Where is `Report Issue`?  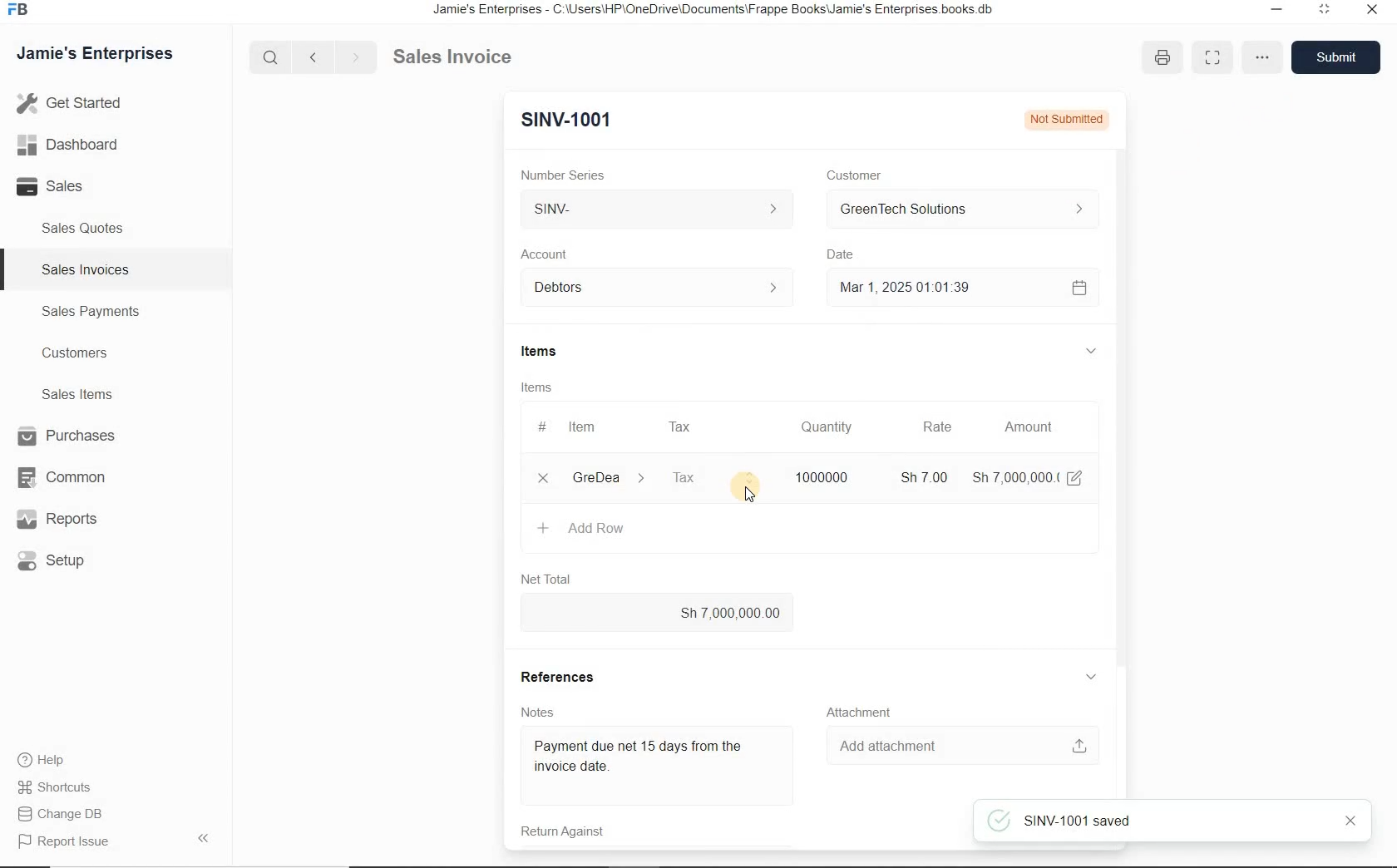 Report Issue is located at coordinates (62, 842).